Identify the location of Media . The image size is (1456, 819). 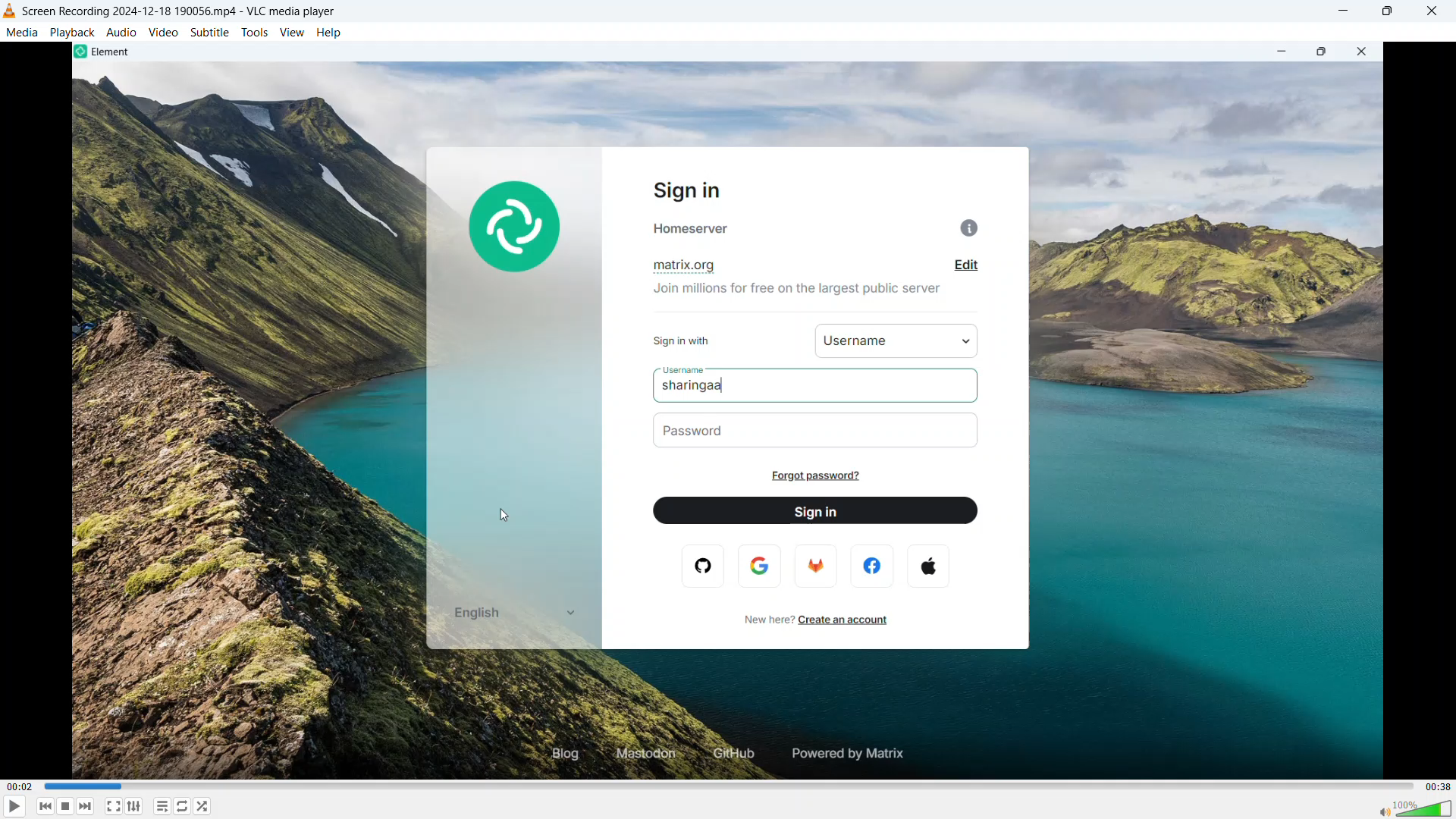
(22, 33).